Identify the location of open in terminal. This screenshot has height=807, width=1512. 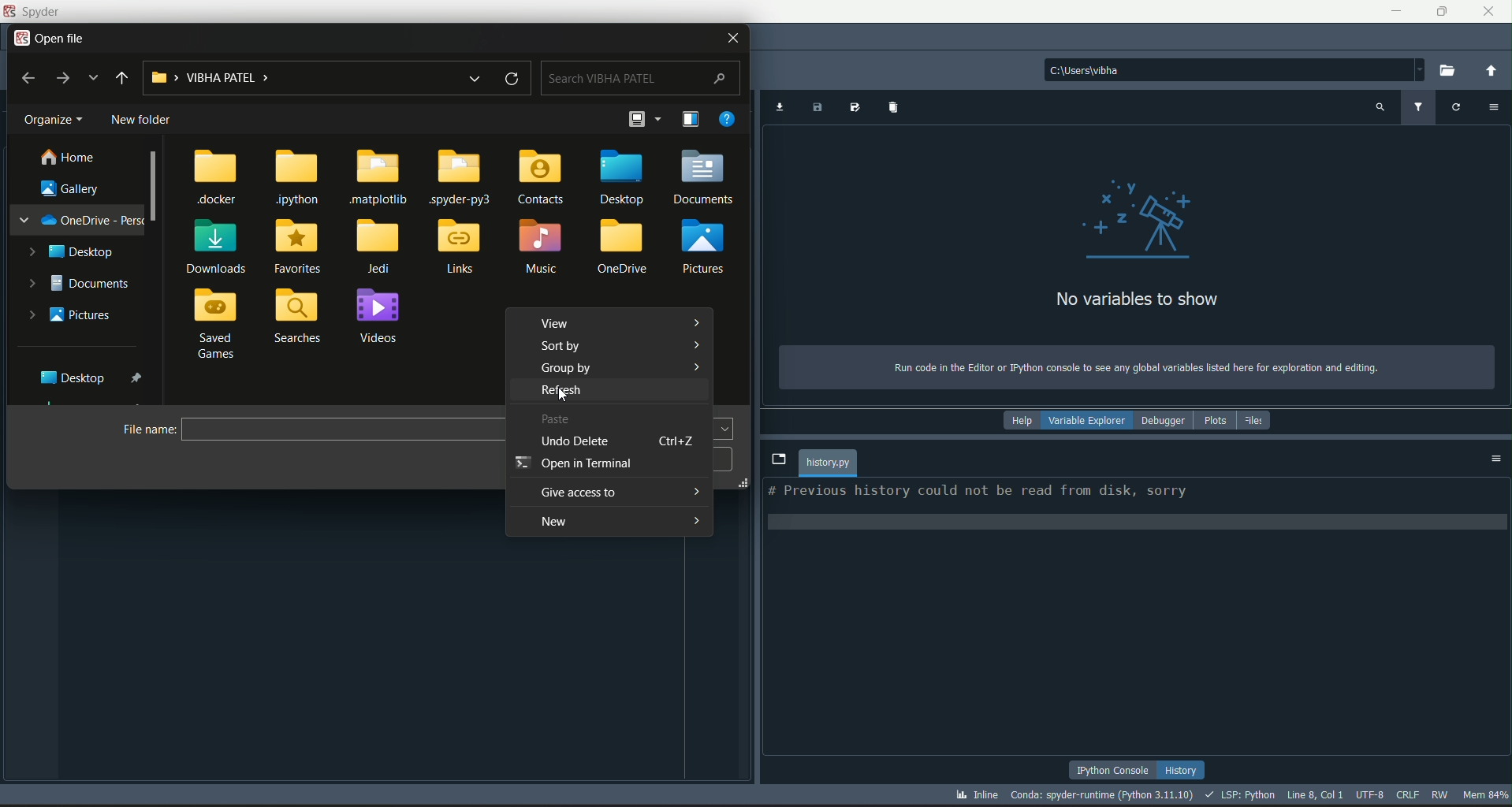
(573, 464).